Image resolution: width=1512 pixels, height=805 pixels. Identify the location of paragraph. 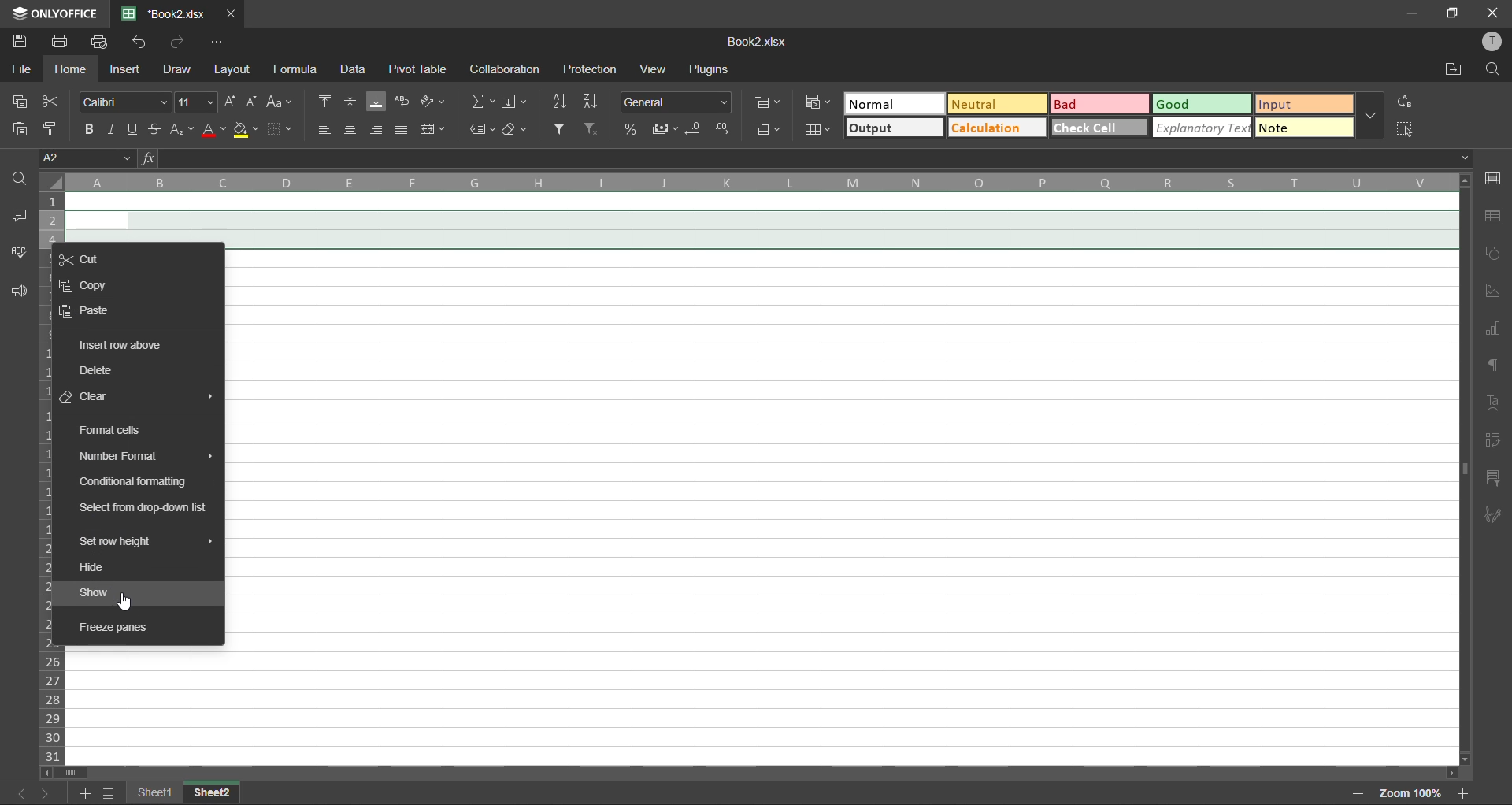
(1495, 363).